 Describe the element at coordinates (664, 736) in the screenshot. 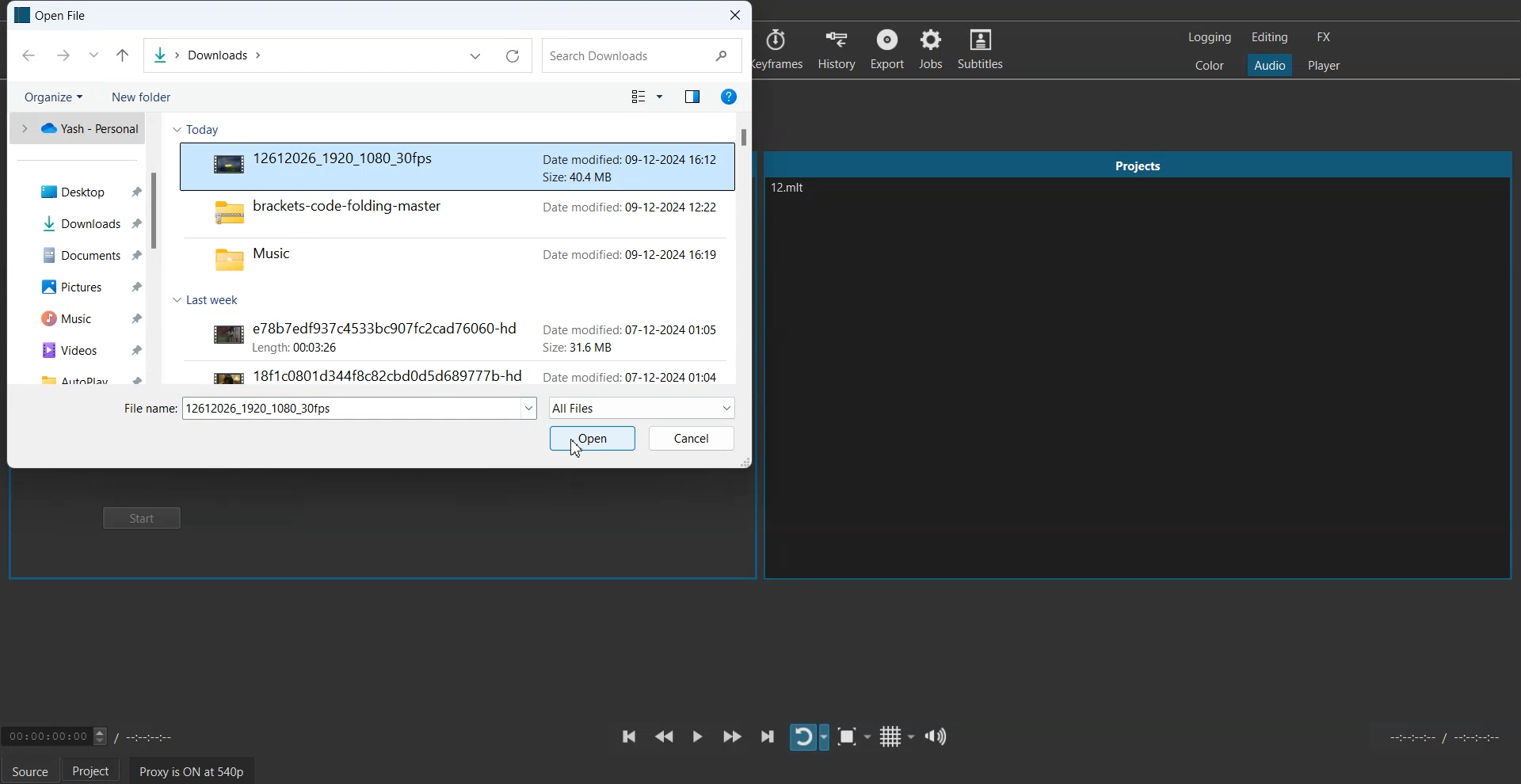

I see `Play quickly backwards` at that location.